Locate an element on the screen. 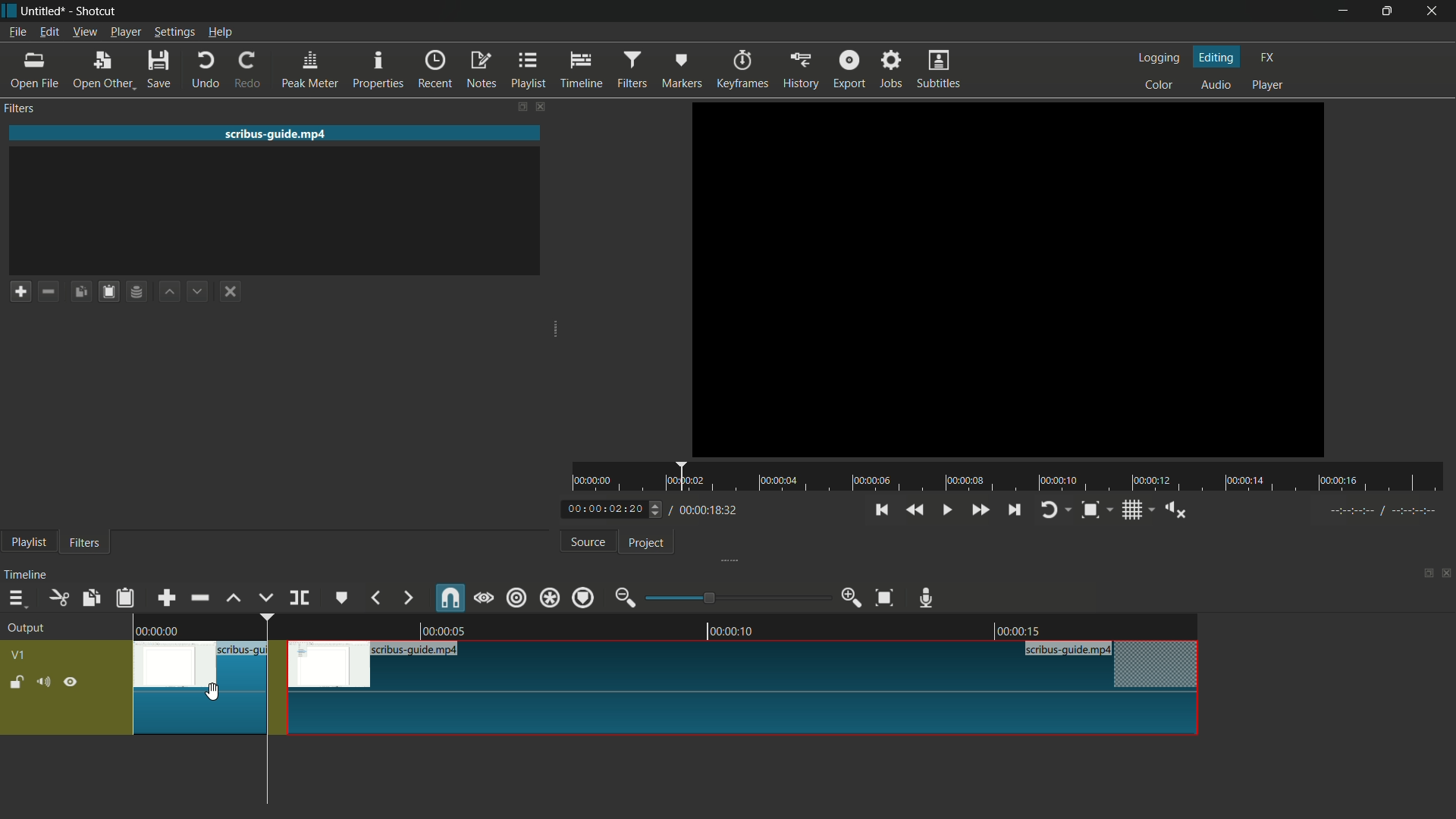 The image size is (1456, 819). filters is located at coordinates (634, 70).